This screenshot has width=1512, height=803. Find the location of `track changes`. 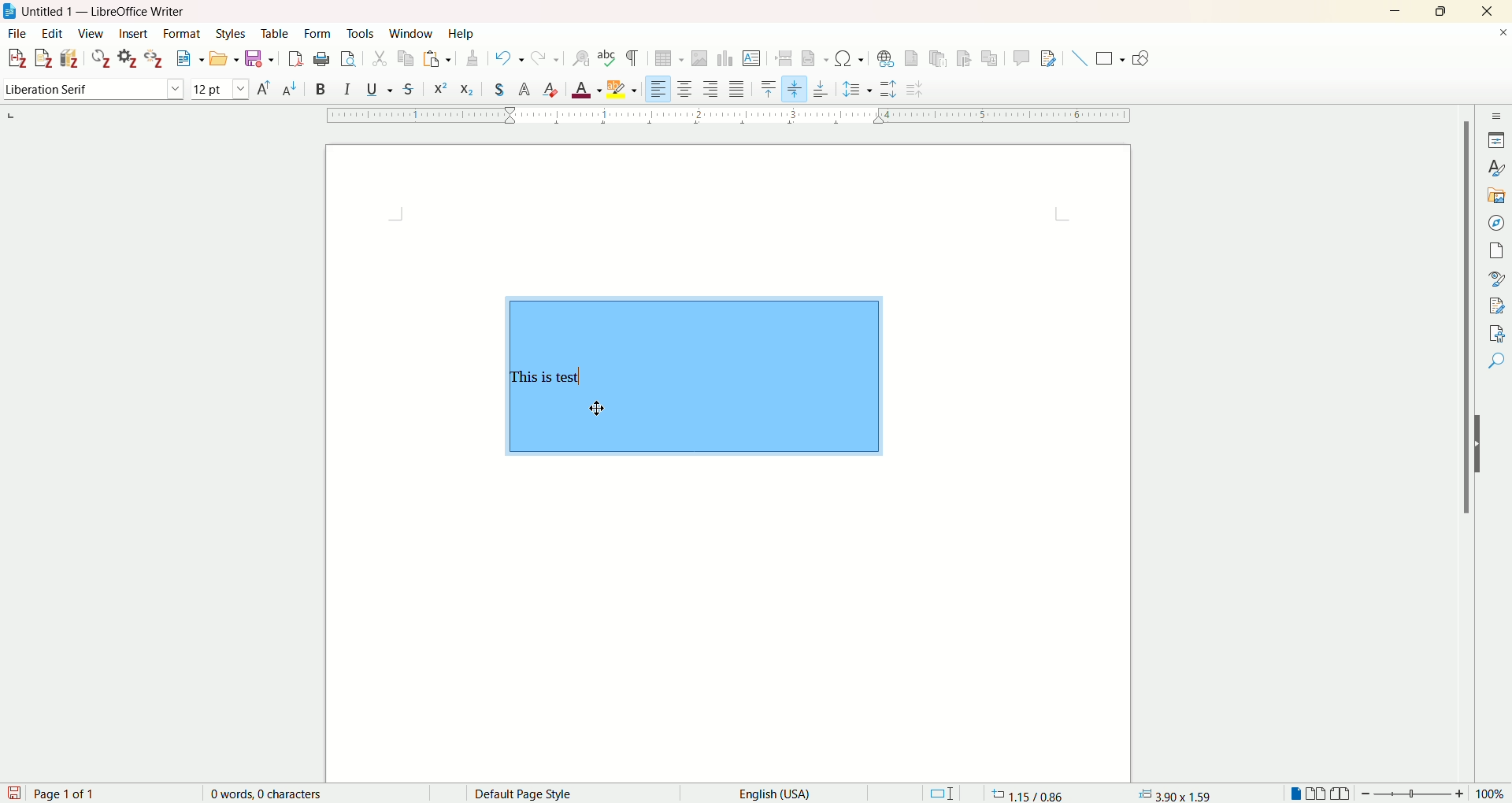

track changes is located at coordinates (1052, 57).